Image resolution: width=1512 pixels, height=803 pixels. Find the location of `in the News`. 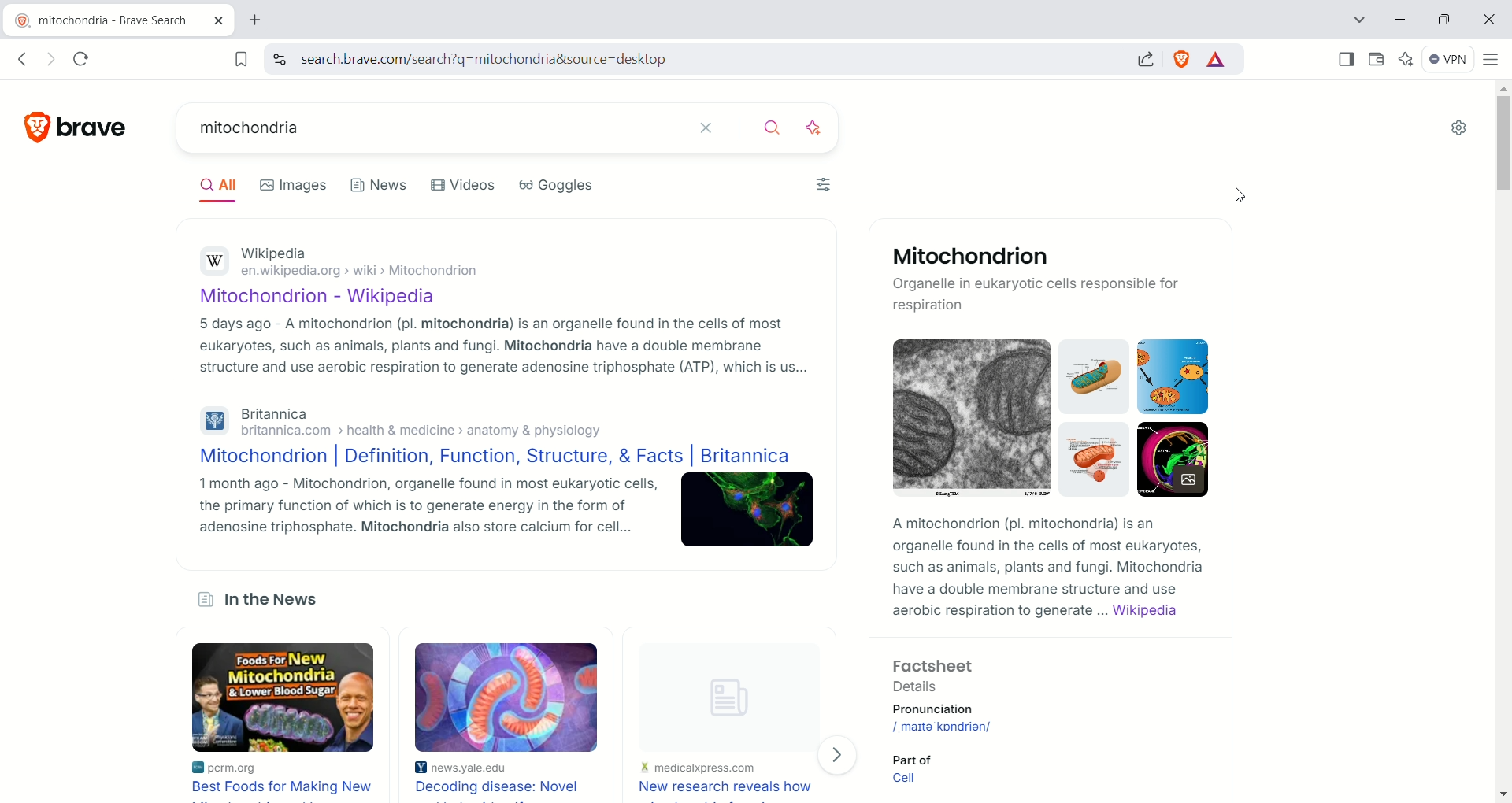

in the News is located at coordinates (265, 599).